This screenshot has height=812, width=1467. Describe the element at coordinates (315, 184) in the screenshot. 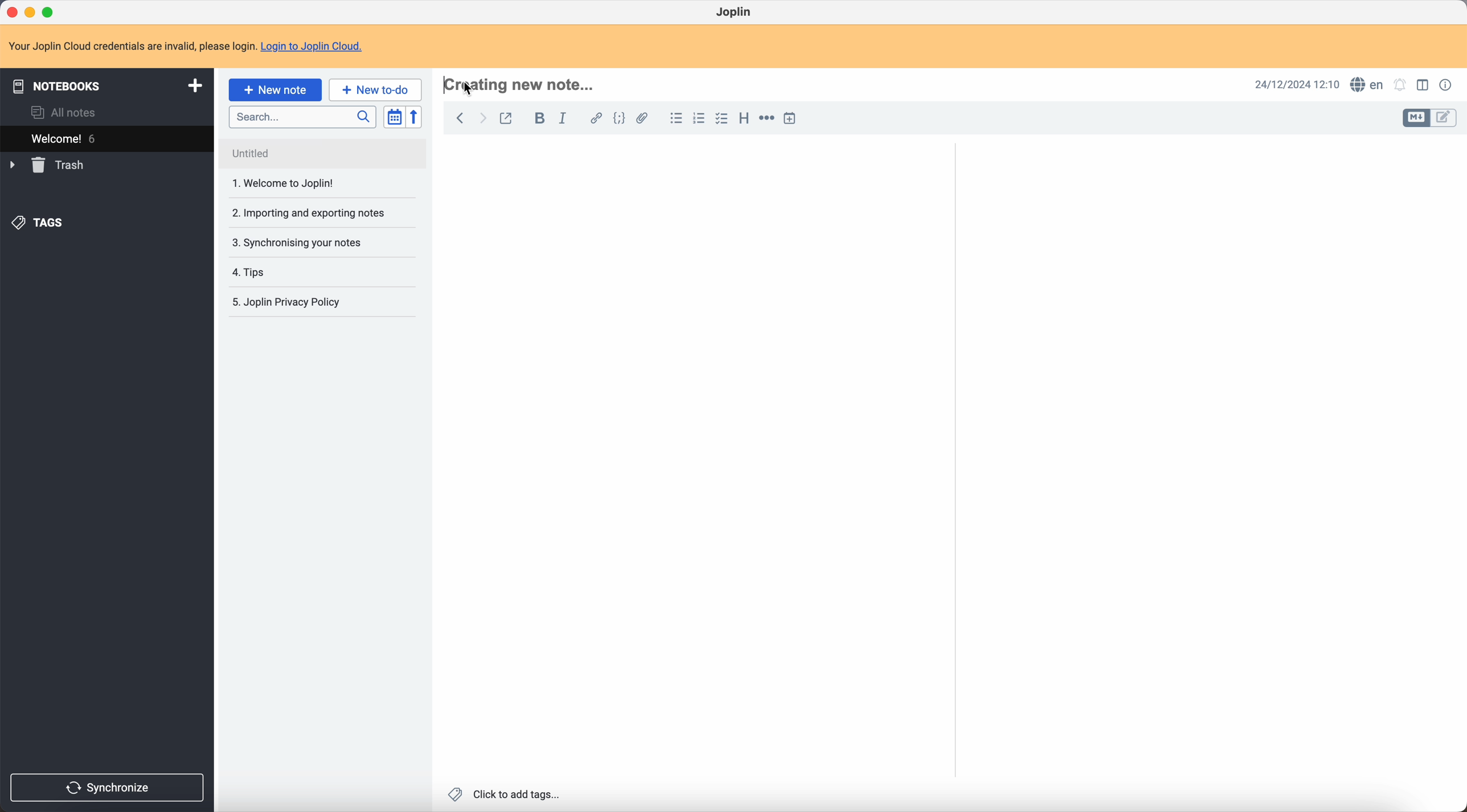

I see `1. Welcome to Joplin!` at that location.